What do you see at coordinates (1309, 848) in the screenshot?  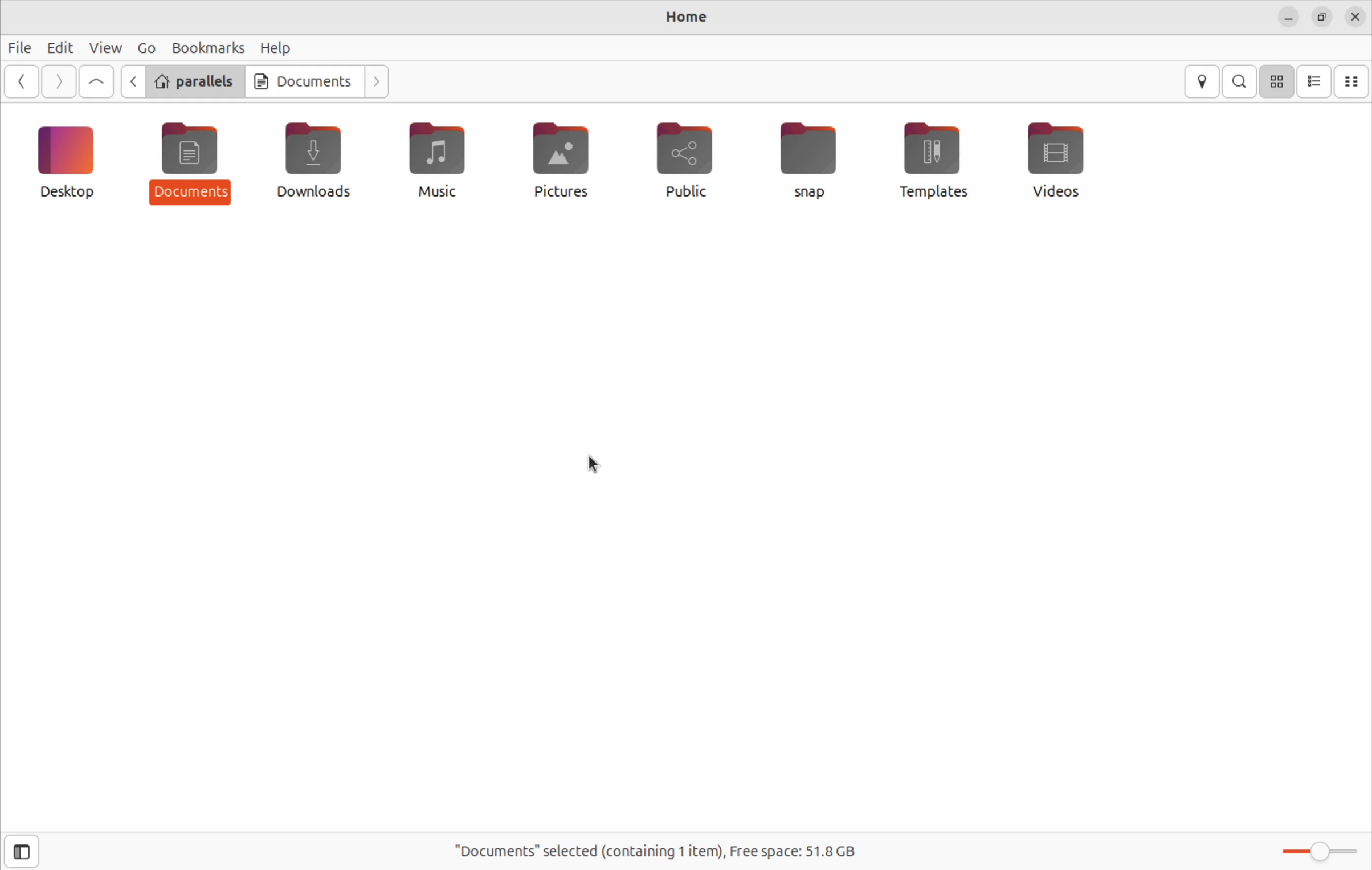 I see `toggle zoom` at bounding box center [1309, 848].